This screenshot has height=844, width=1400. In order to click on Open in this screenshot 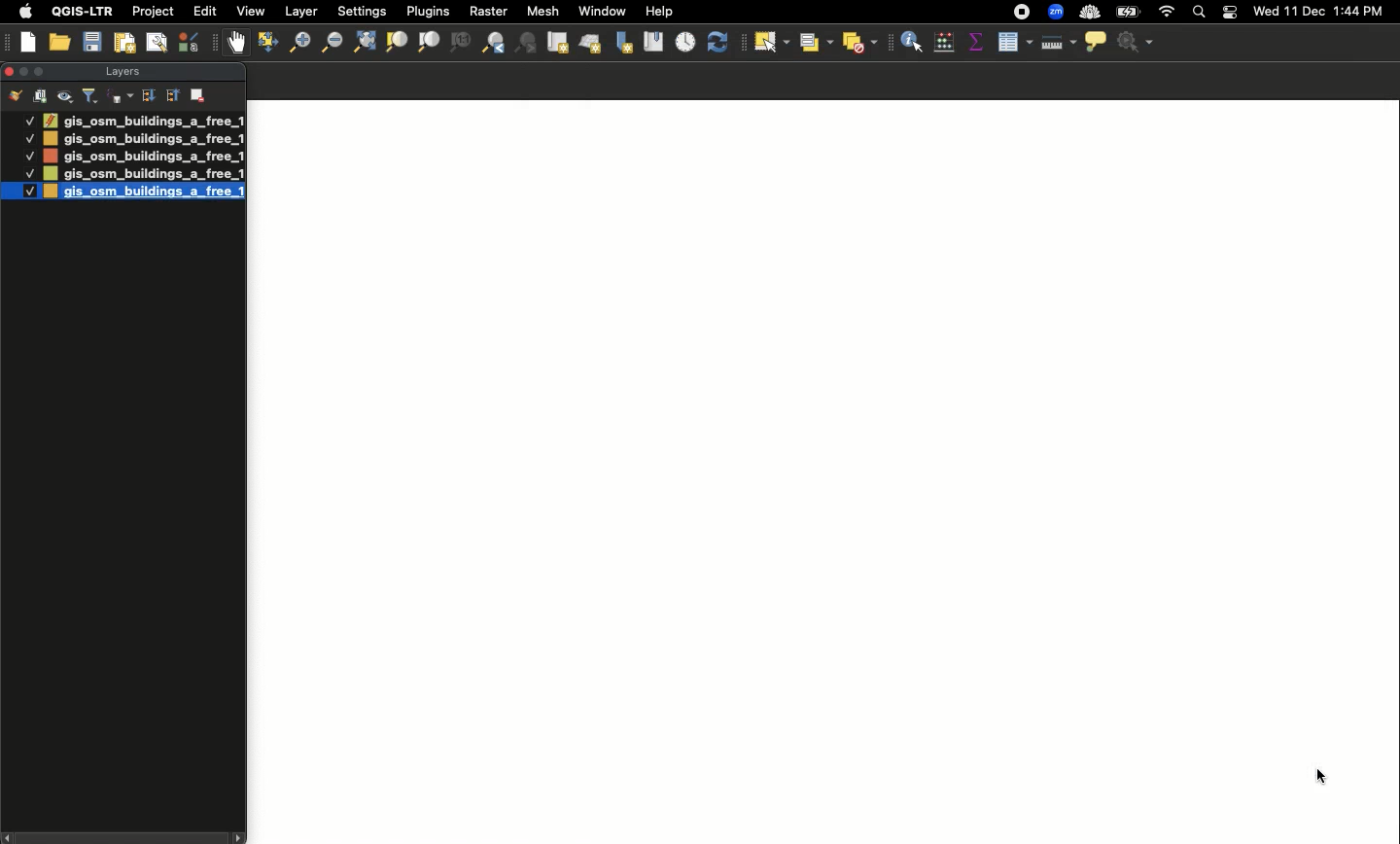, I will do `click(62, 43)`.